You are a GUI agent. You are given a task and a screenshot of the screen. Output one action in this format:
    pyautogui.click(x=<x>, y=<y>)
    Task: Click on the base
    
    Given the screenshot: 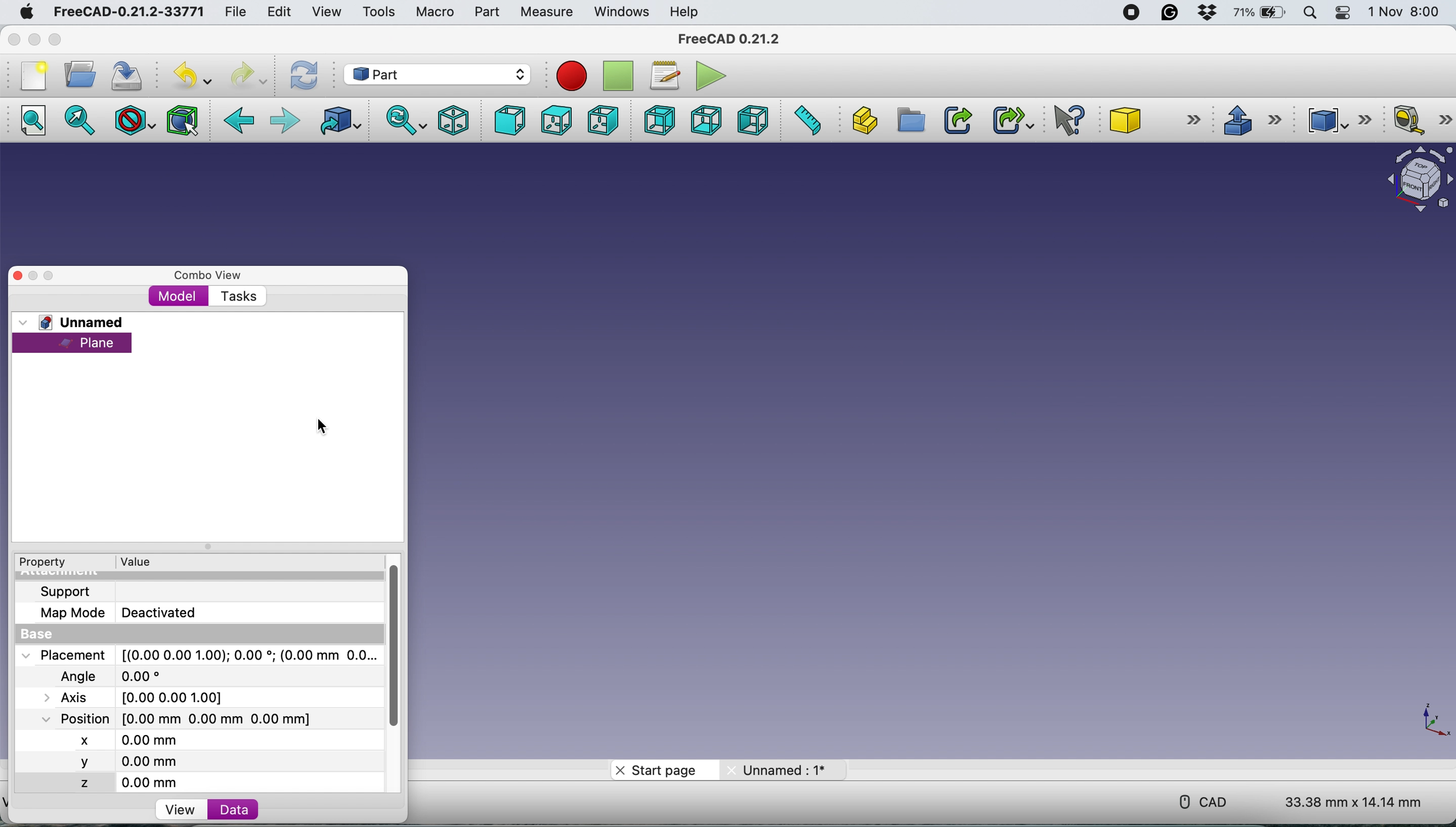 What is the action you would take?
    pyautogui.click(x=39, y=633)
    